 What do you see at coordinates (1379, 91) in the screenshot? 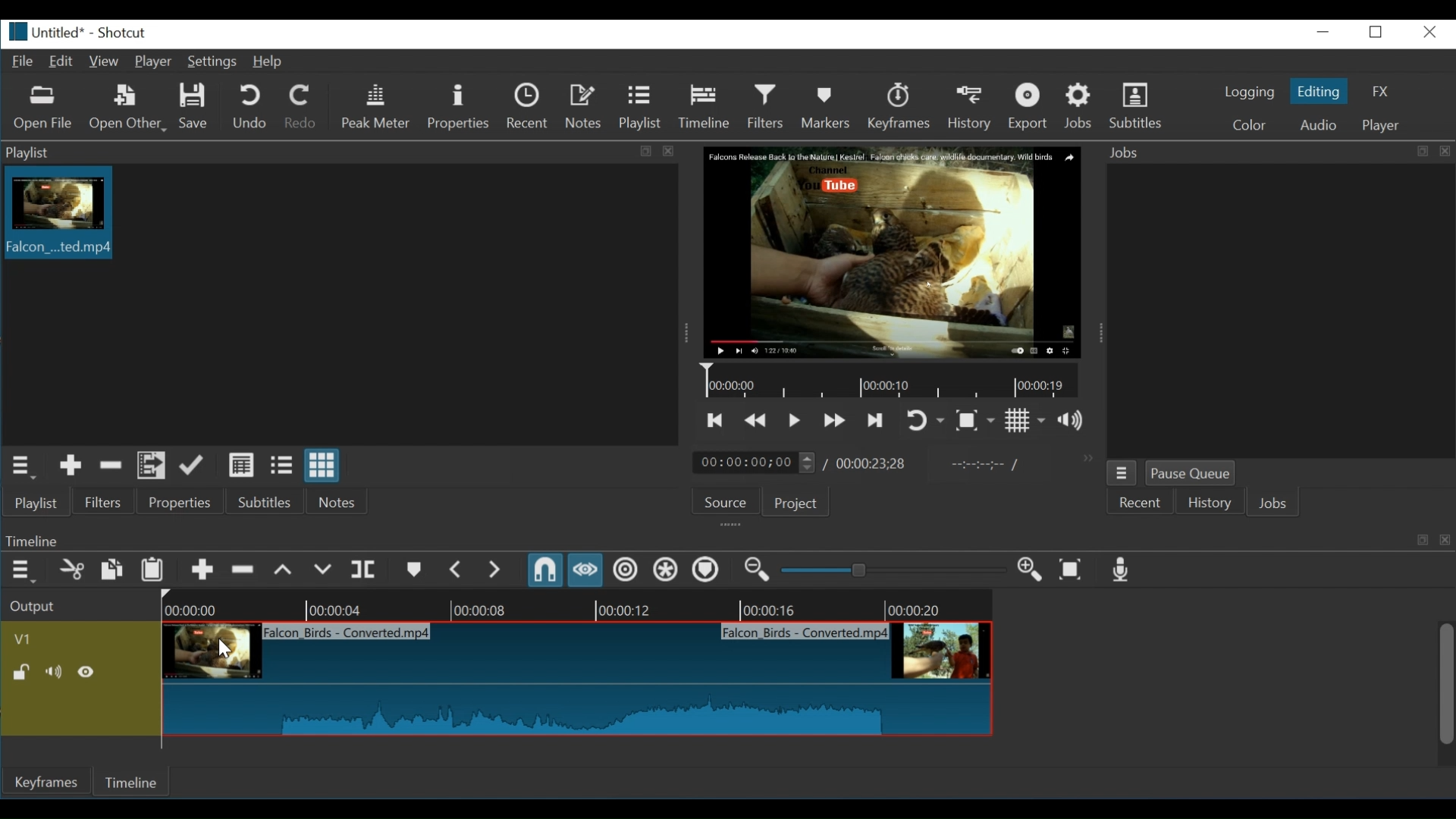
I see `FX` at bounding box center [1379, 91].